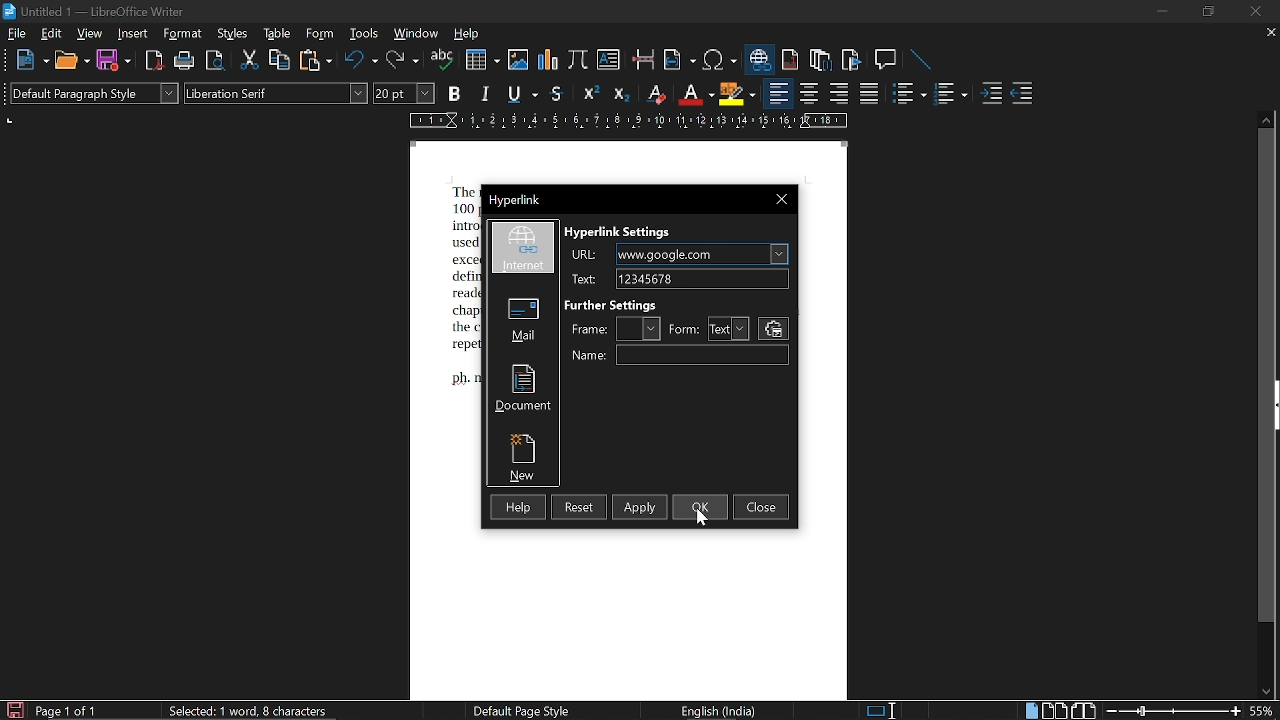  I want to click on change zoom, so click(1174, 712).